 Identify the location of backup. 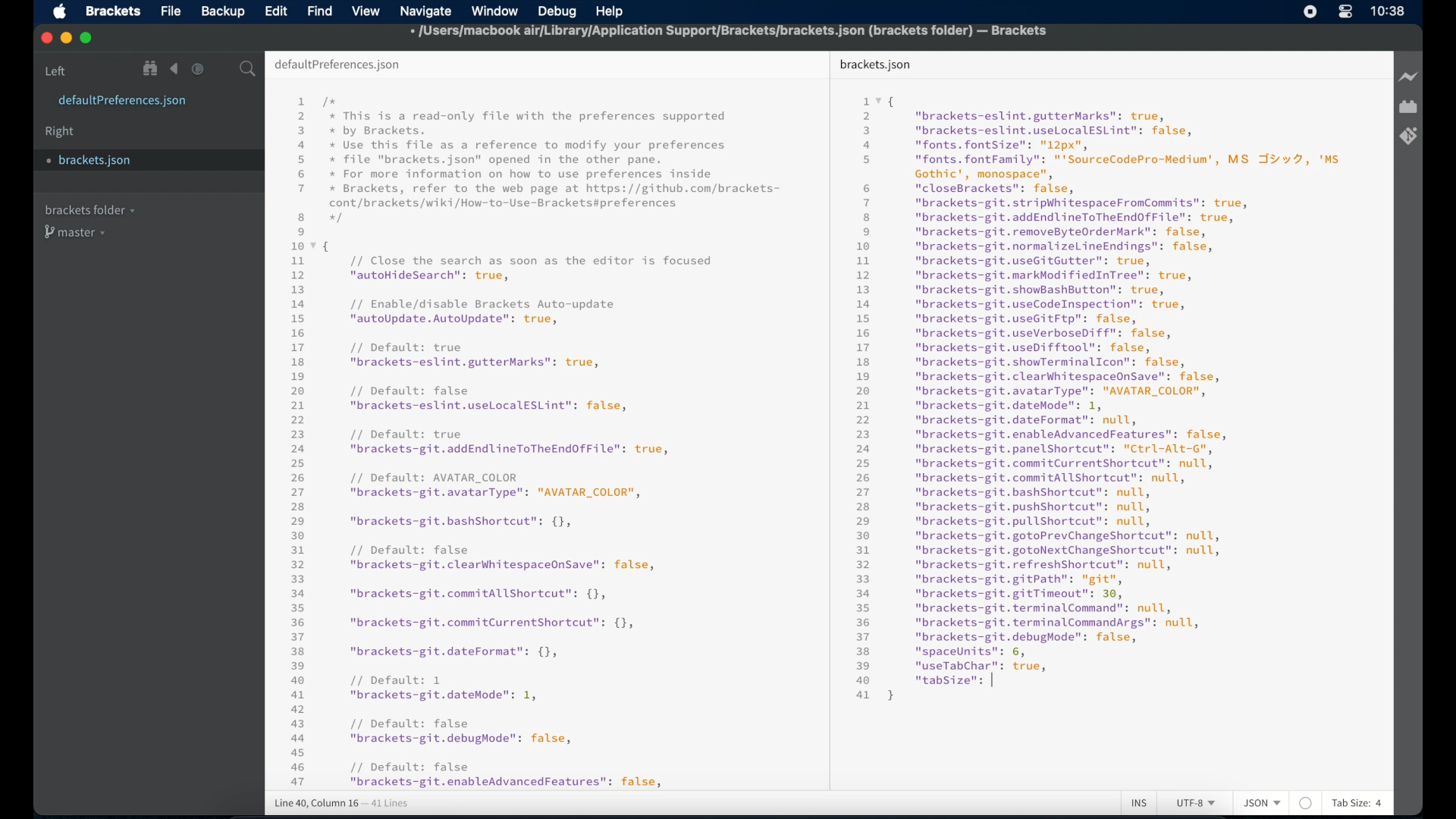
(223, 11).